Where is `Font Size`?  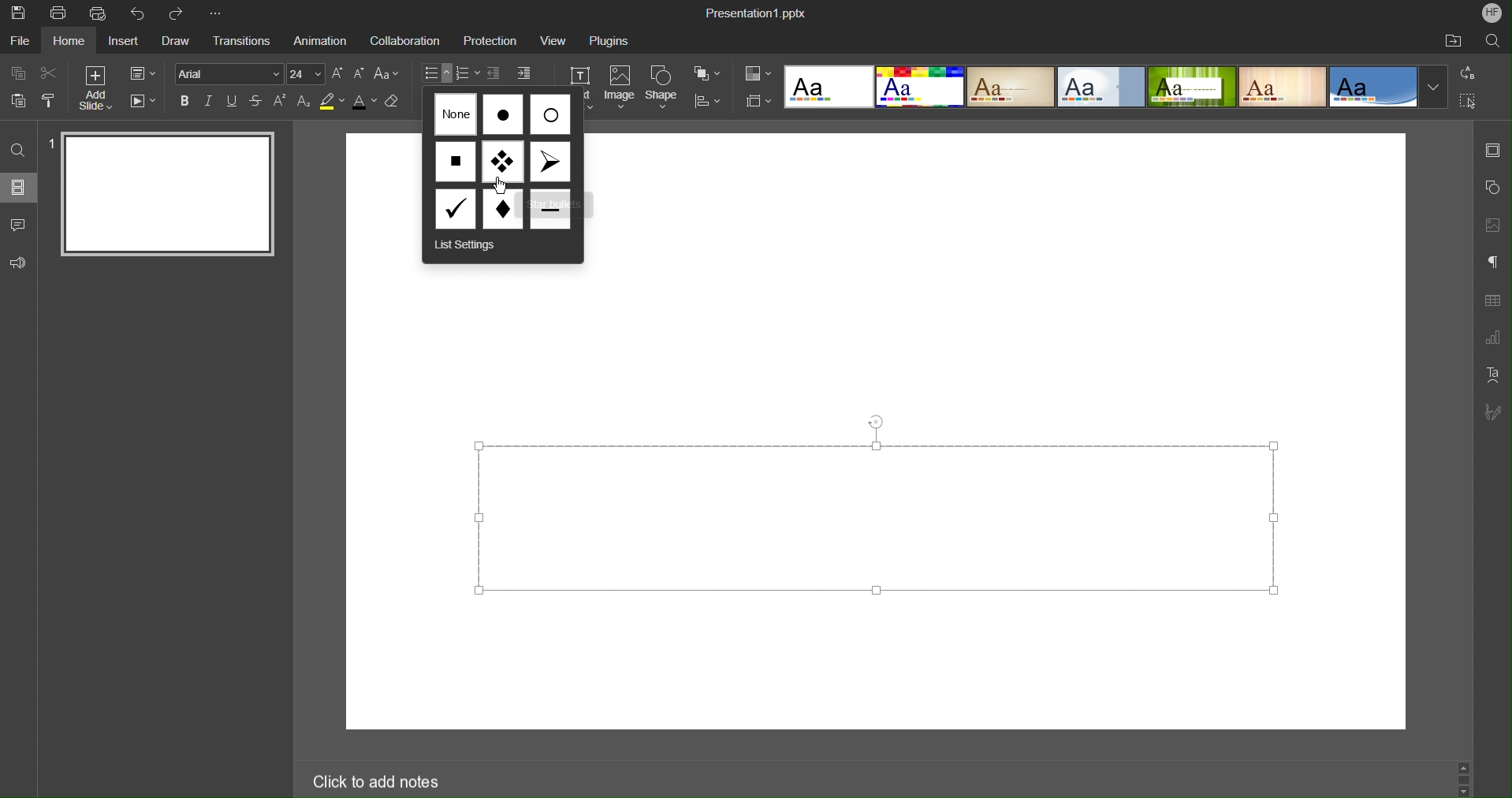 Font Size is located at coordinates (347, 74).